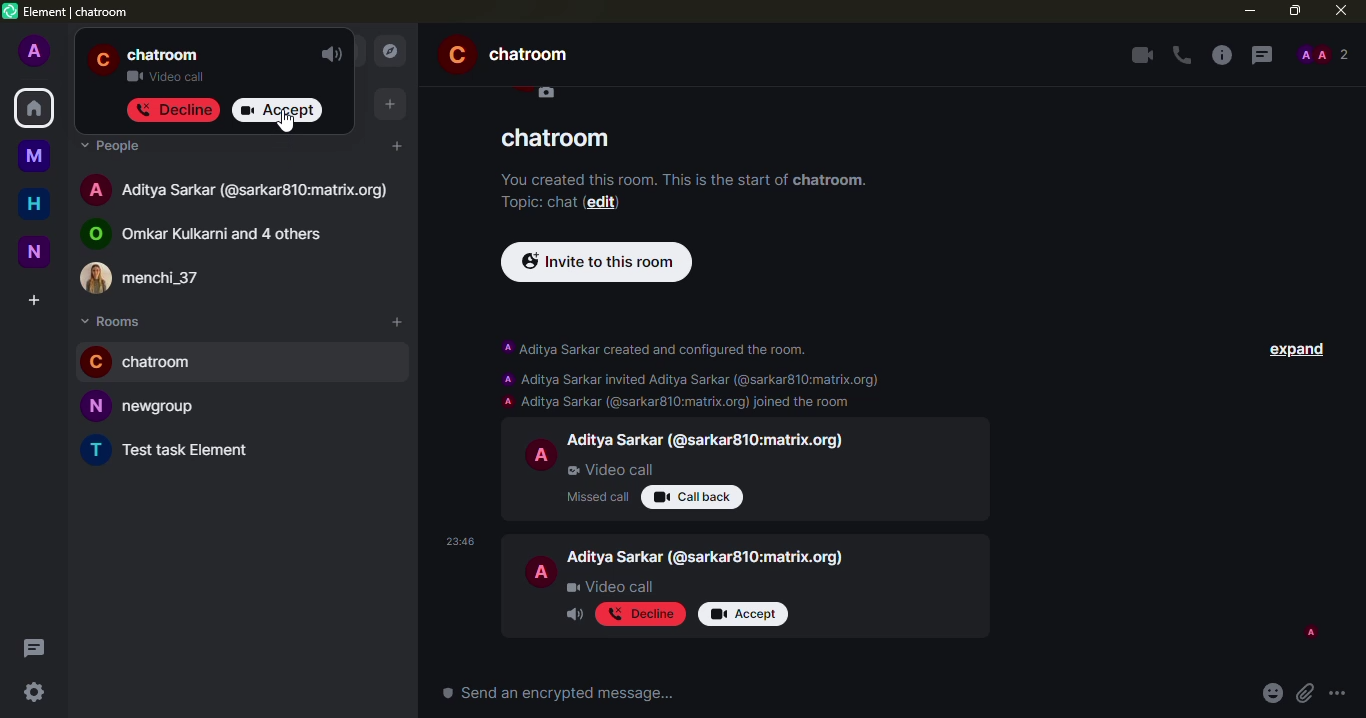  Describe the element at coordinates (638, 613) in the screenshot. I see `decline` at that location.